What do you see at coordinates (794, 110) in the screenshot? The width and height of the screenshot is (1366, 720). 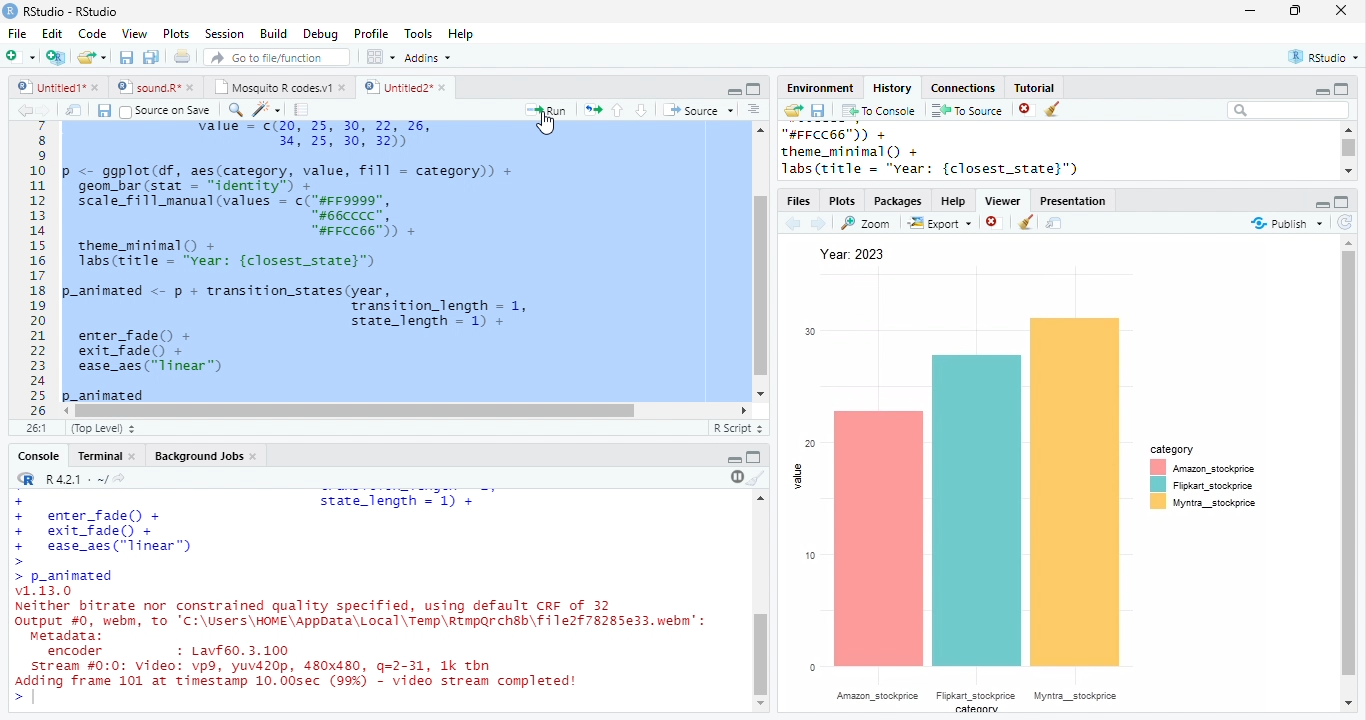 I see `open folder` at bounding box center [794, 110].